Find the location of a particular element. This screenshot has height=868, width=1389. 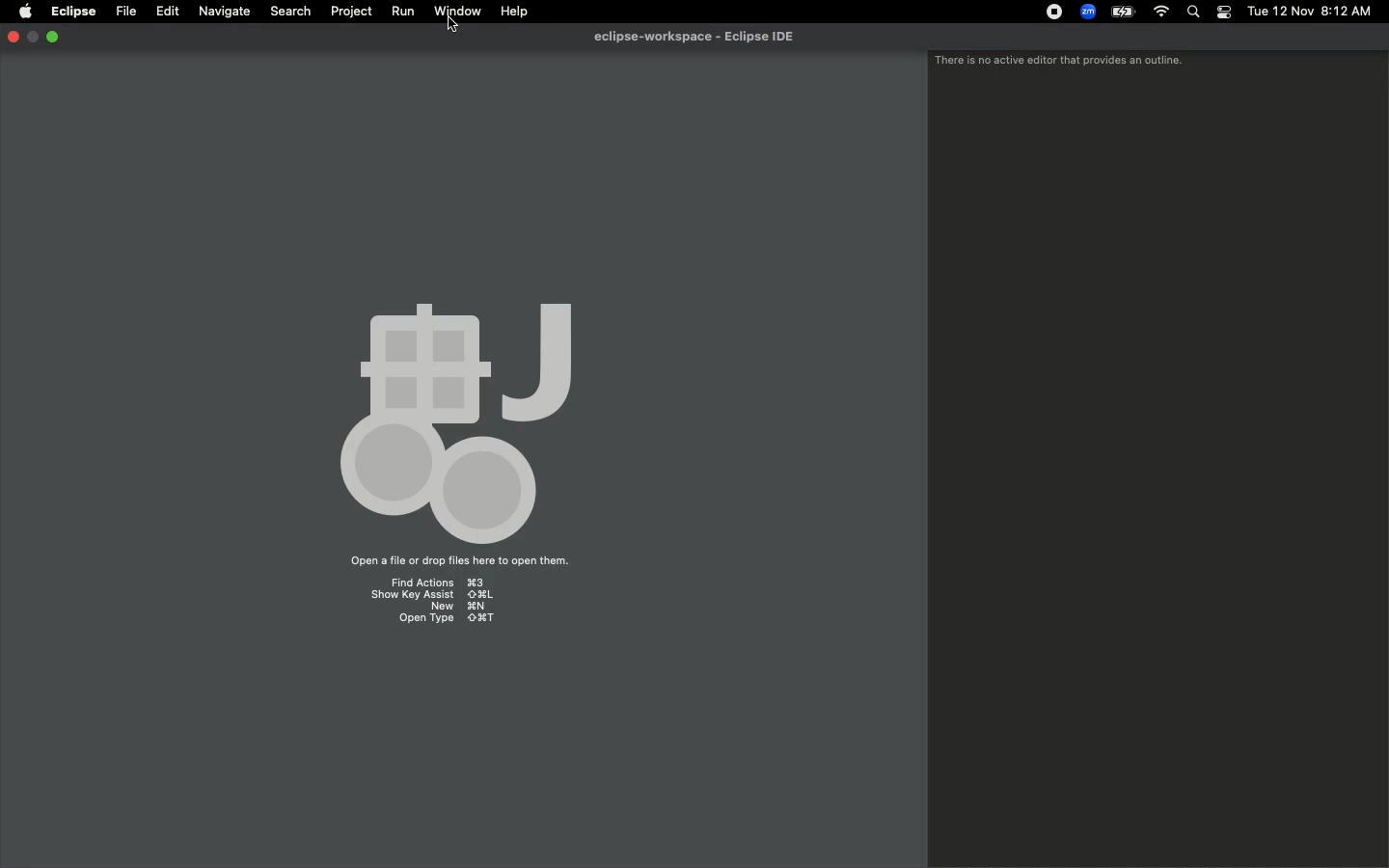

Click window is located at coordinates (458, 12).